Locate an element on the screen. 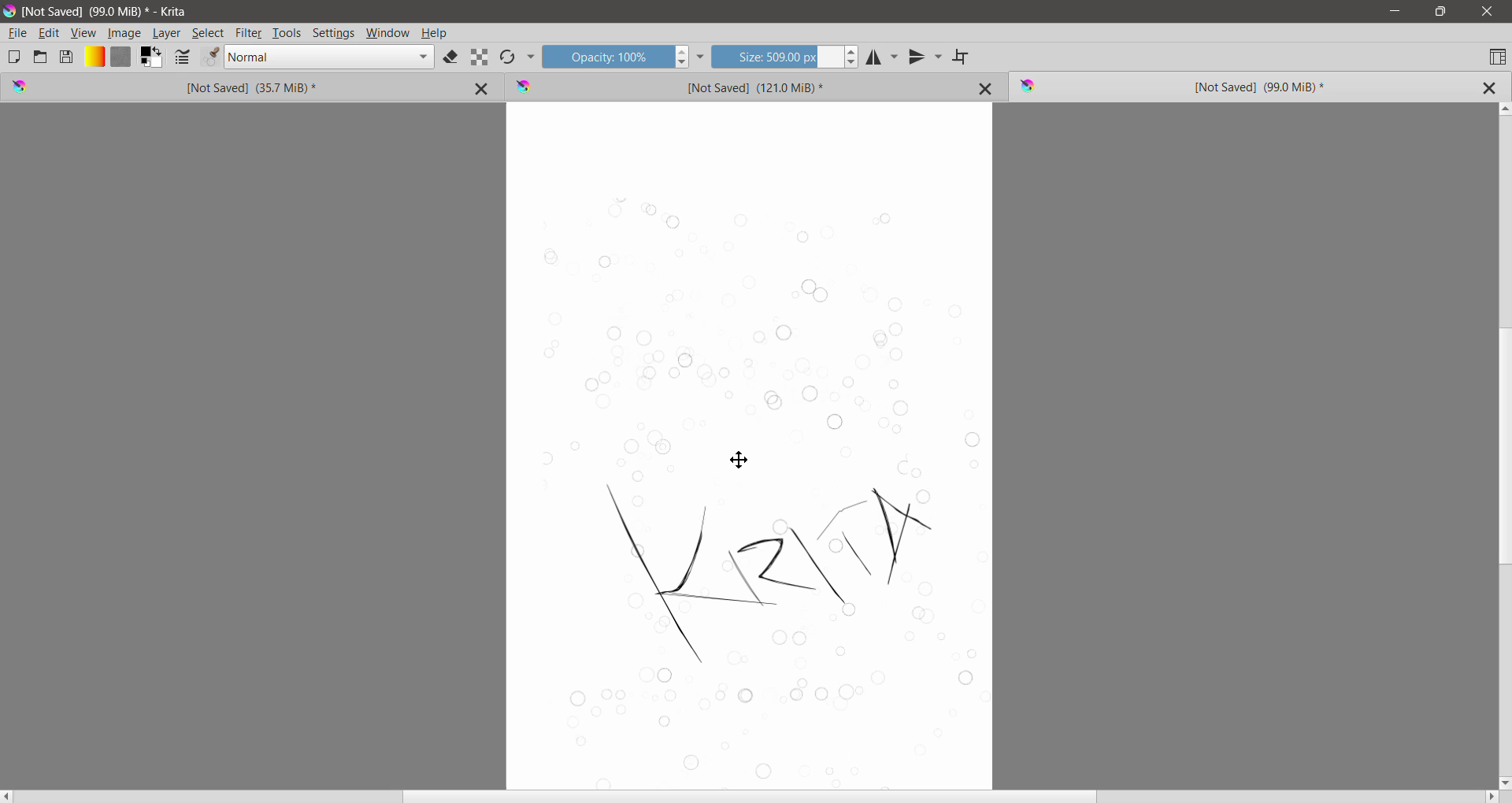 The width and height of the screenshot is (1512, 803). Image is located at coordinates (124, 34).